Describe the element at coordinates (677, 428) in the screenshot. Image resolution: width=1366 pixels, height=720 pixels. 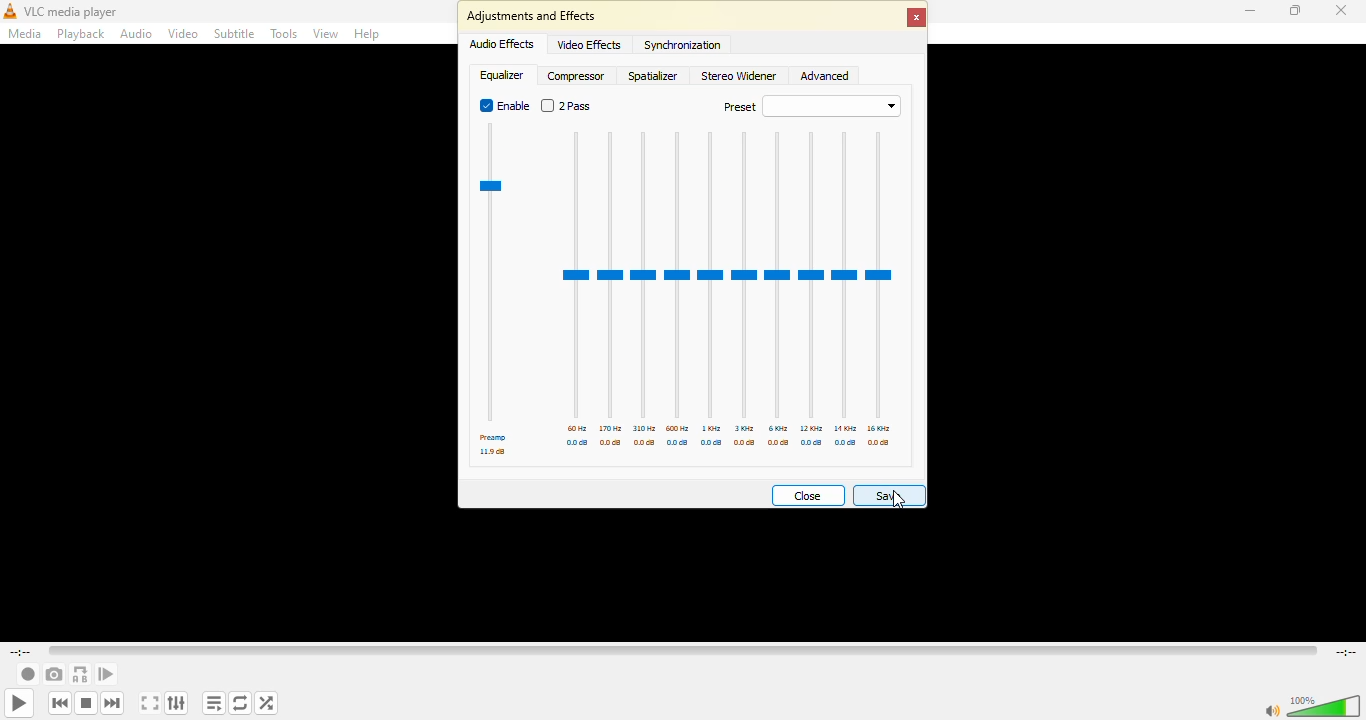
I see `600 hz` at that location.